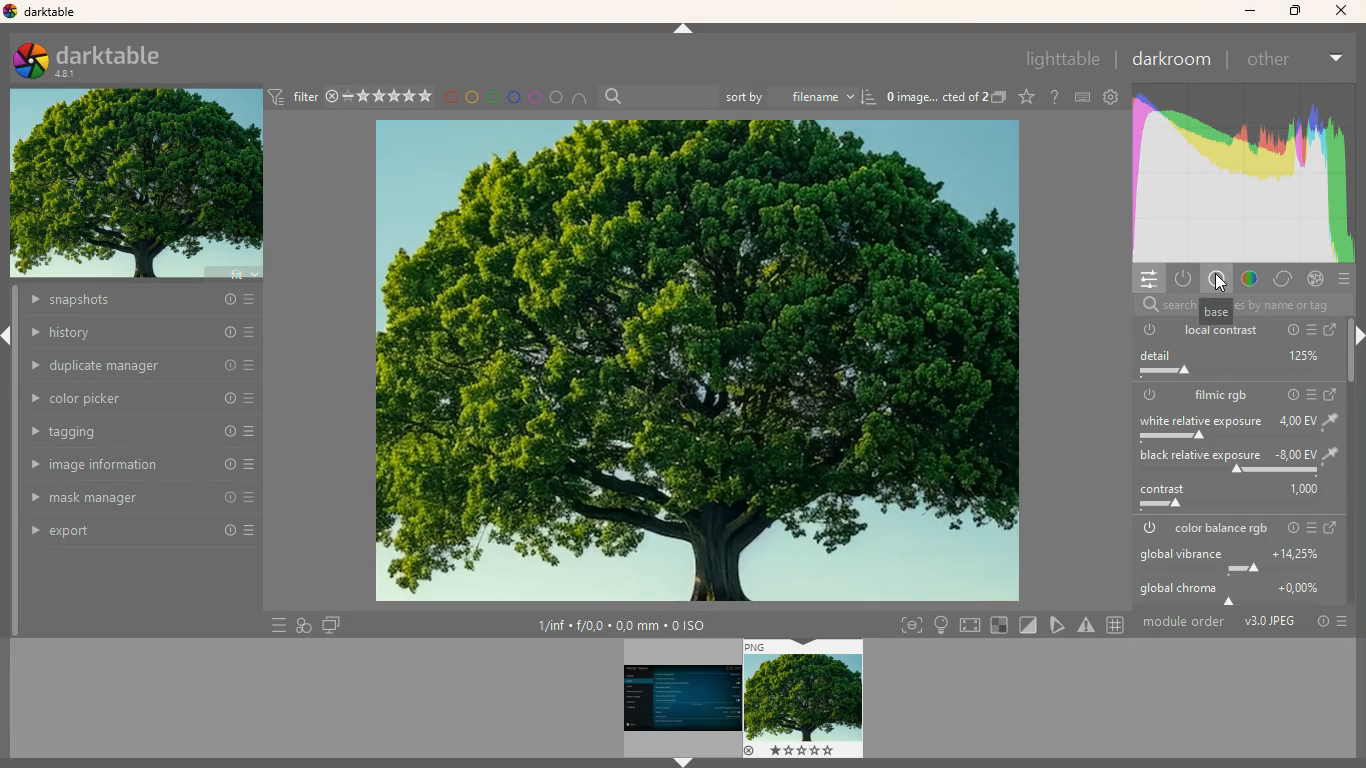  Describe the element at coordinates (1218, 280) in the screenshot. I see `base` at that location.